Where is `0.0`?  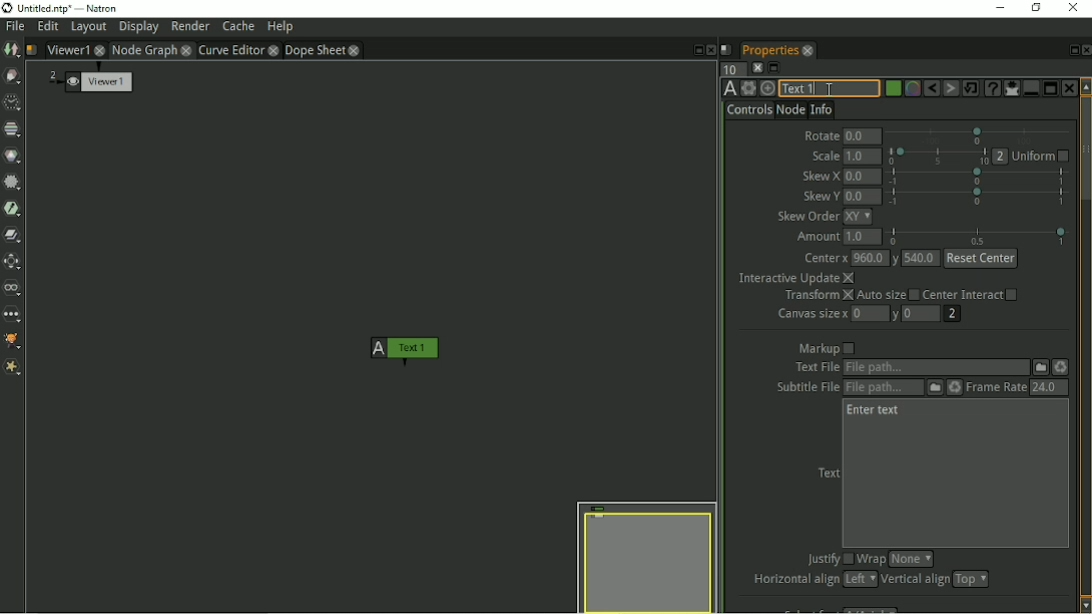
0.0 is located at coordinates (862, 135).